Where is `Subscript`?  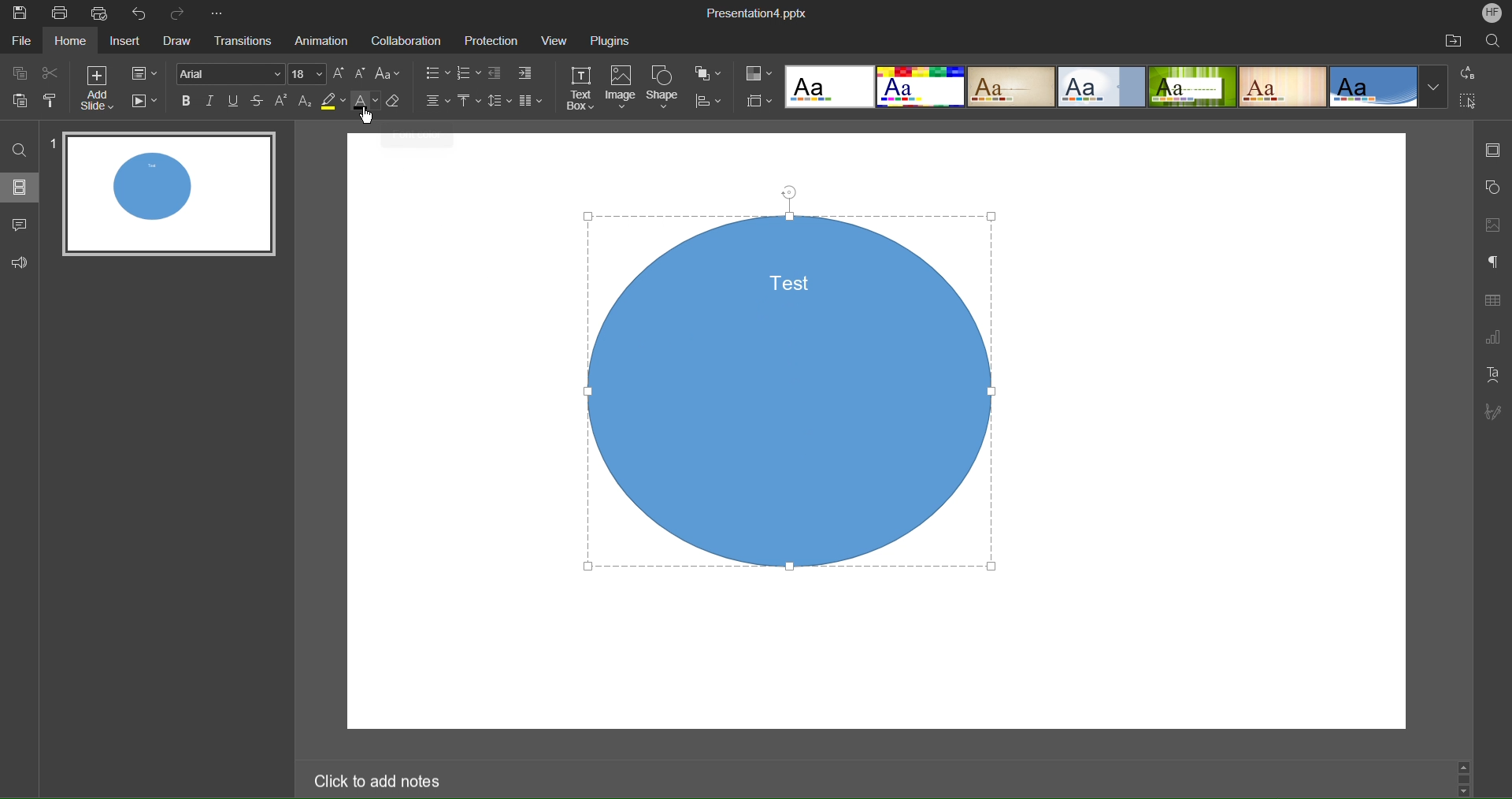
Subscript is located at coordinates (306, 102).